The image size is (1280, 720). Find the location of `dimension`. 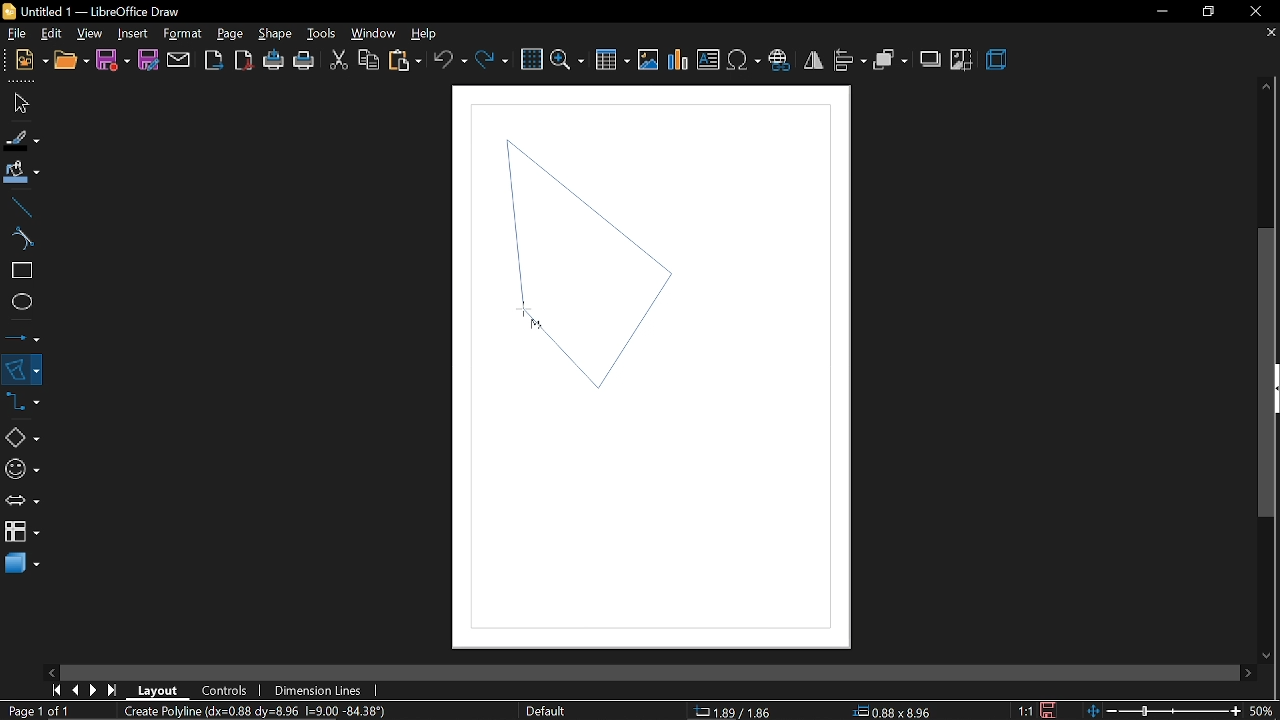

dimension is located at coordinates (318, 689).